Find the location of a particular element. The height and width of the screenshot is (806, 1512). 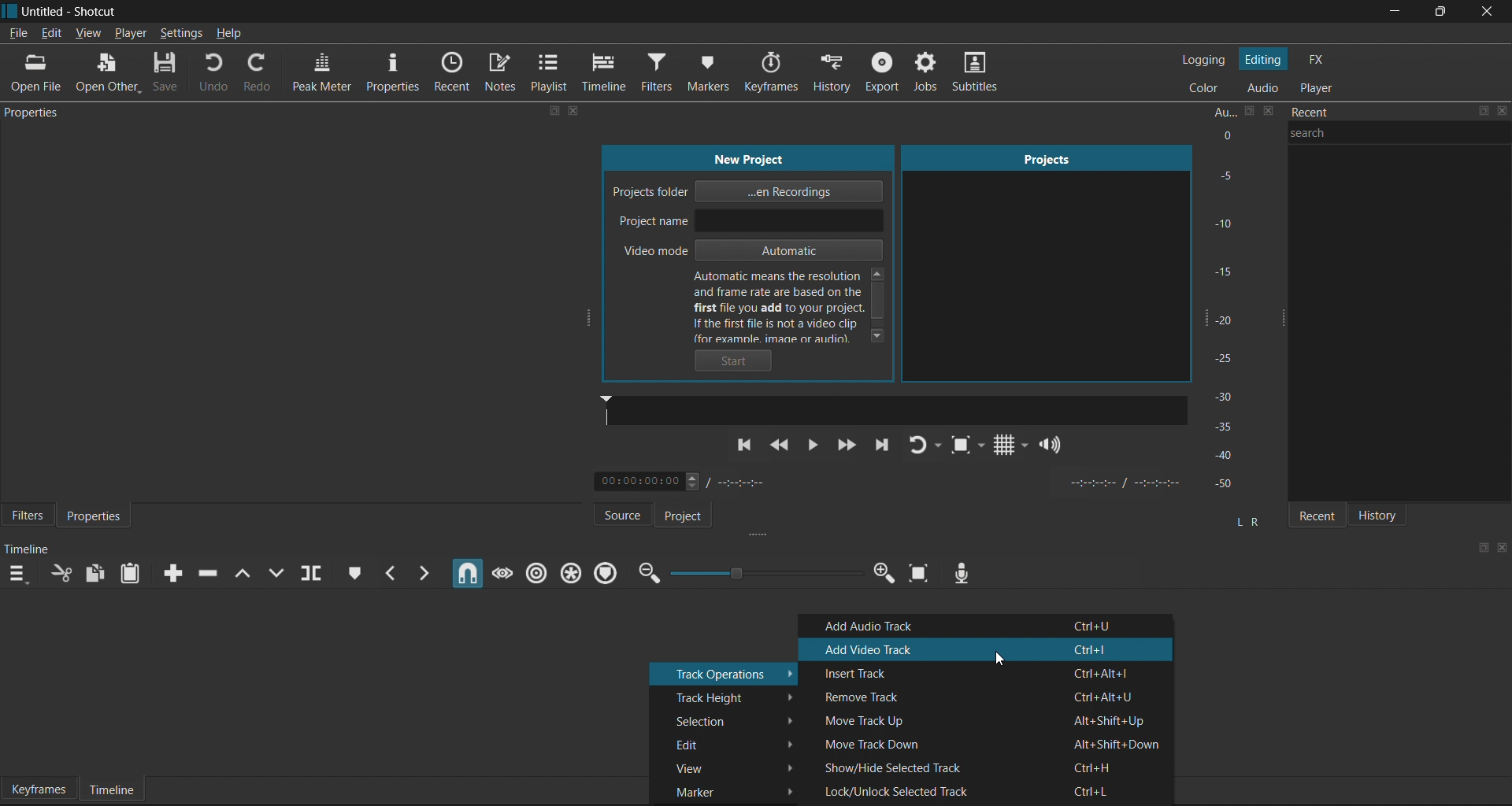

Move Track Down is located at coordinates (991, 741).